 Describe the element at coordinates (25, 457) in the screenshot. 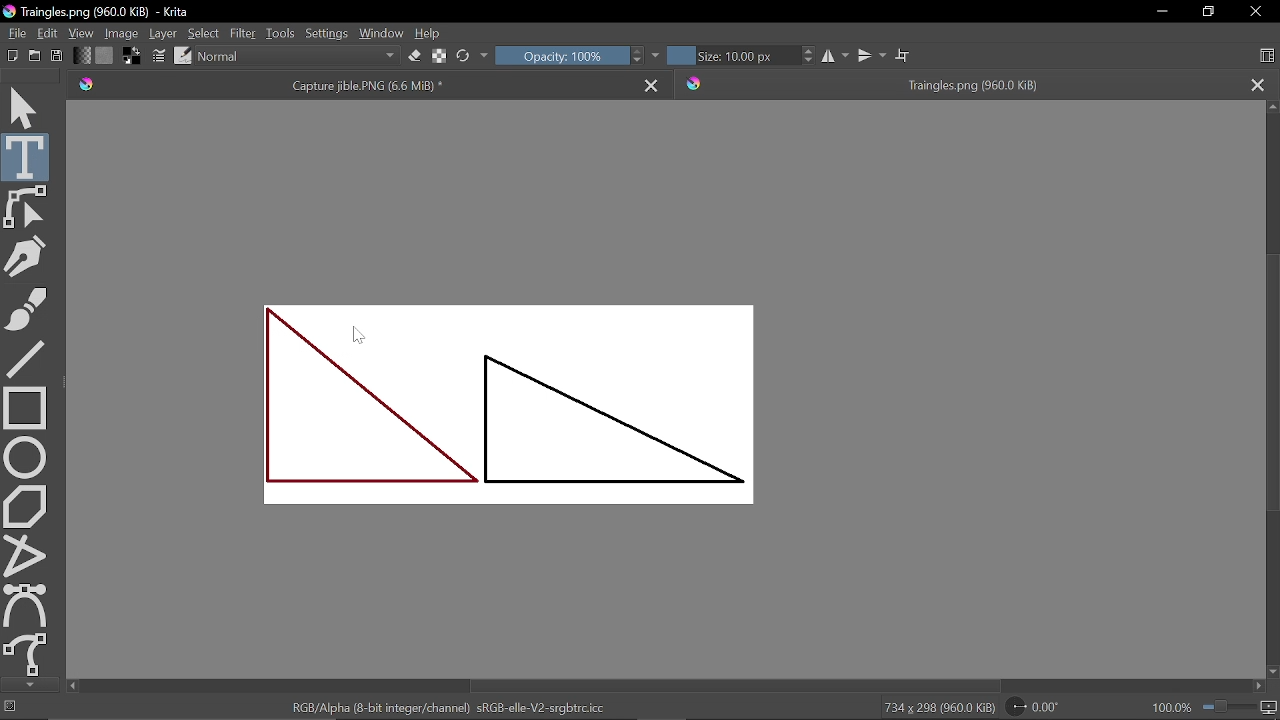

I see `Ellipse tool` at that location.